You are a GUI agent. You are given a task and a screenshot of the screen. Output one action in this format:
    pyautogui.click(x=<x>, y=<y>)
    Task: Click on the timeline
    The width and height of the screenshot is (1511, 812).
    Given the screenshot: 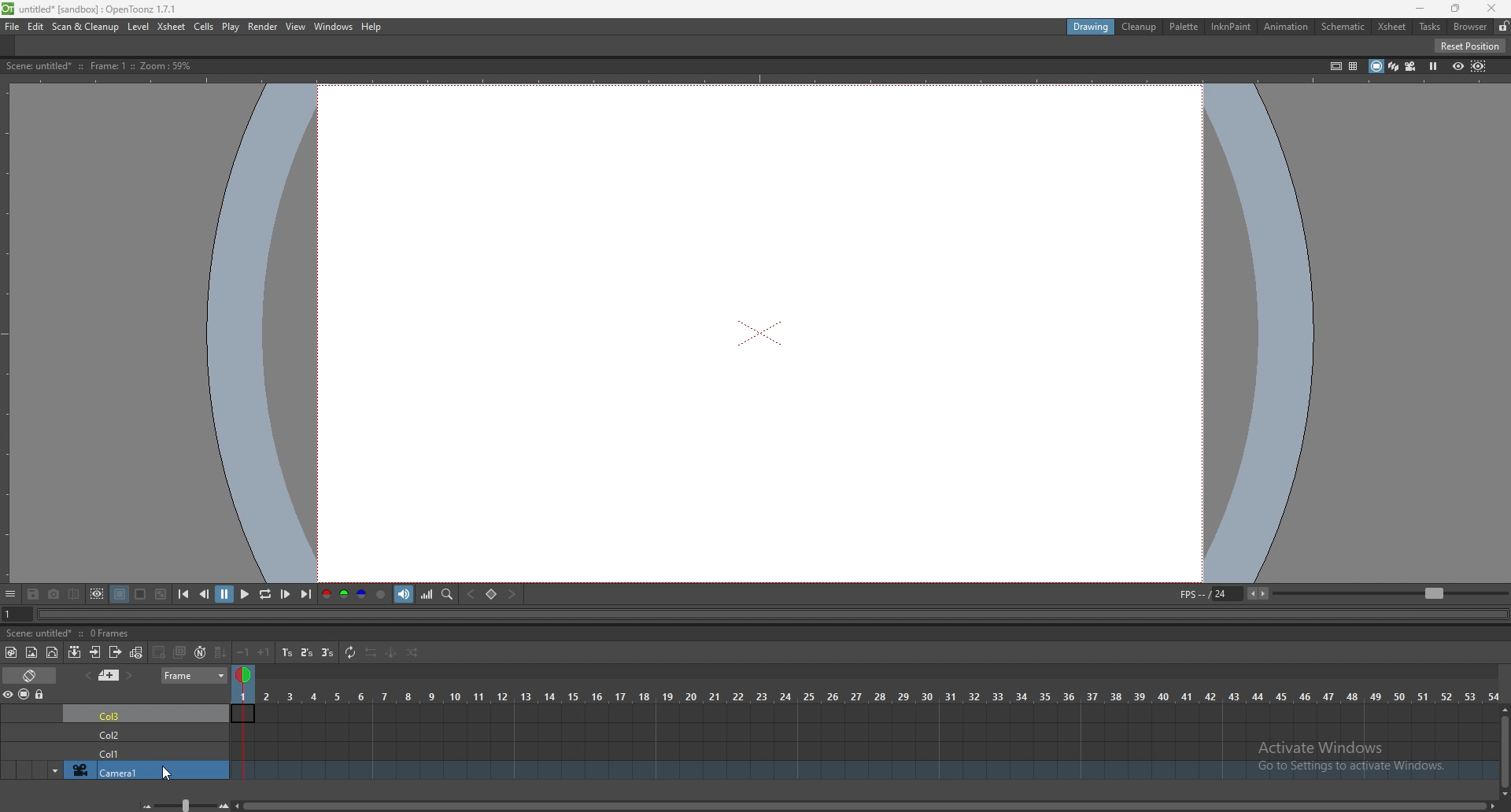 What is the action you would take?
    pyautogui.click(x=861, y=712)
    